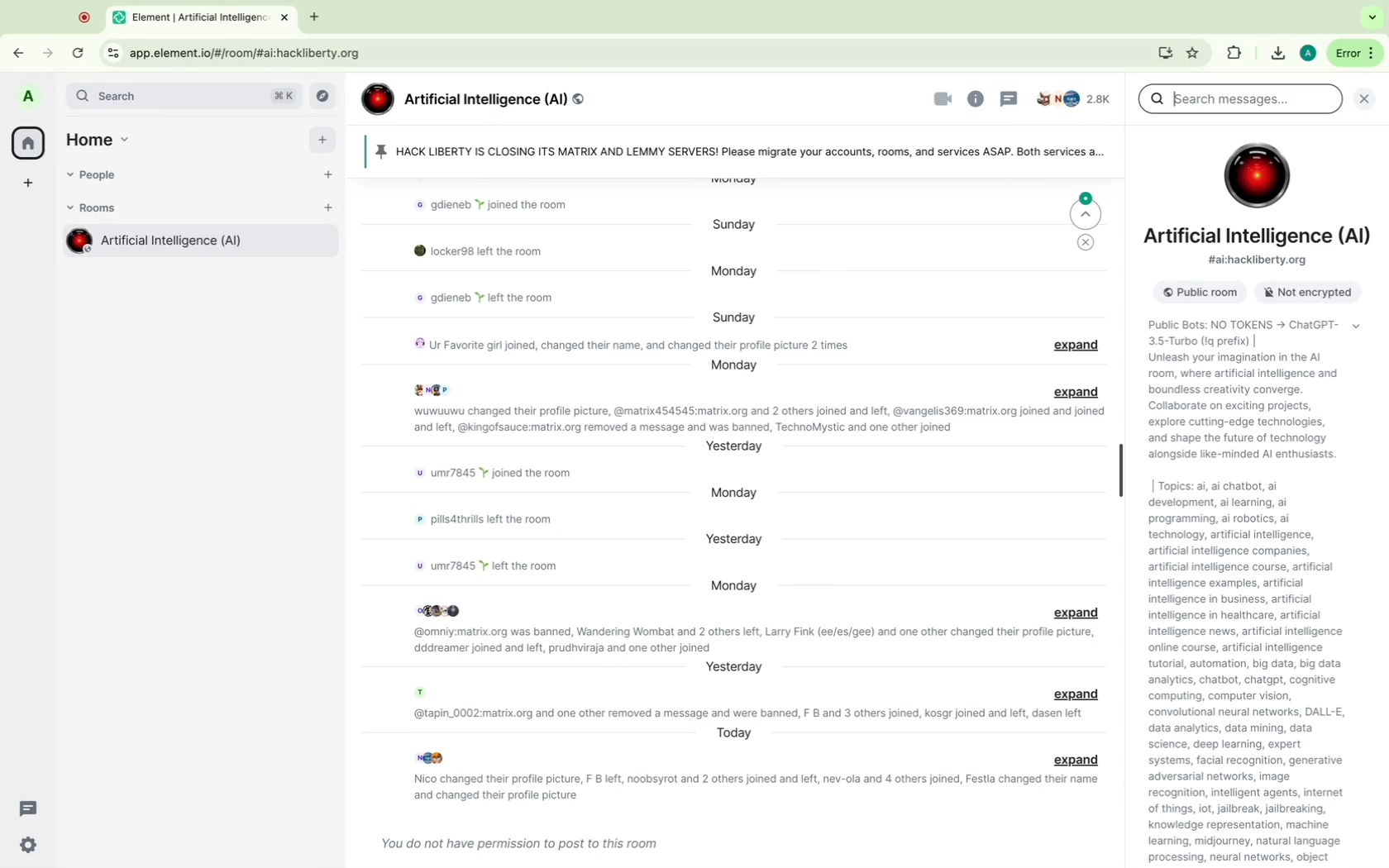 This screenshot has height=868, width=1389. What do you see at coordinates (103, 137) in the screenshot?
I see `home` at bounding box center [103, 137].